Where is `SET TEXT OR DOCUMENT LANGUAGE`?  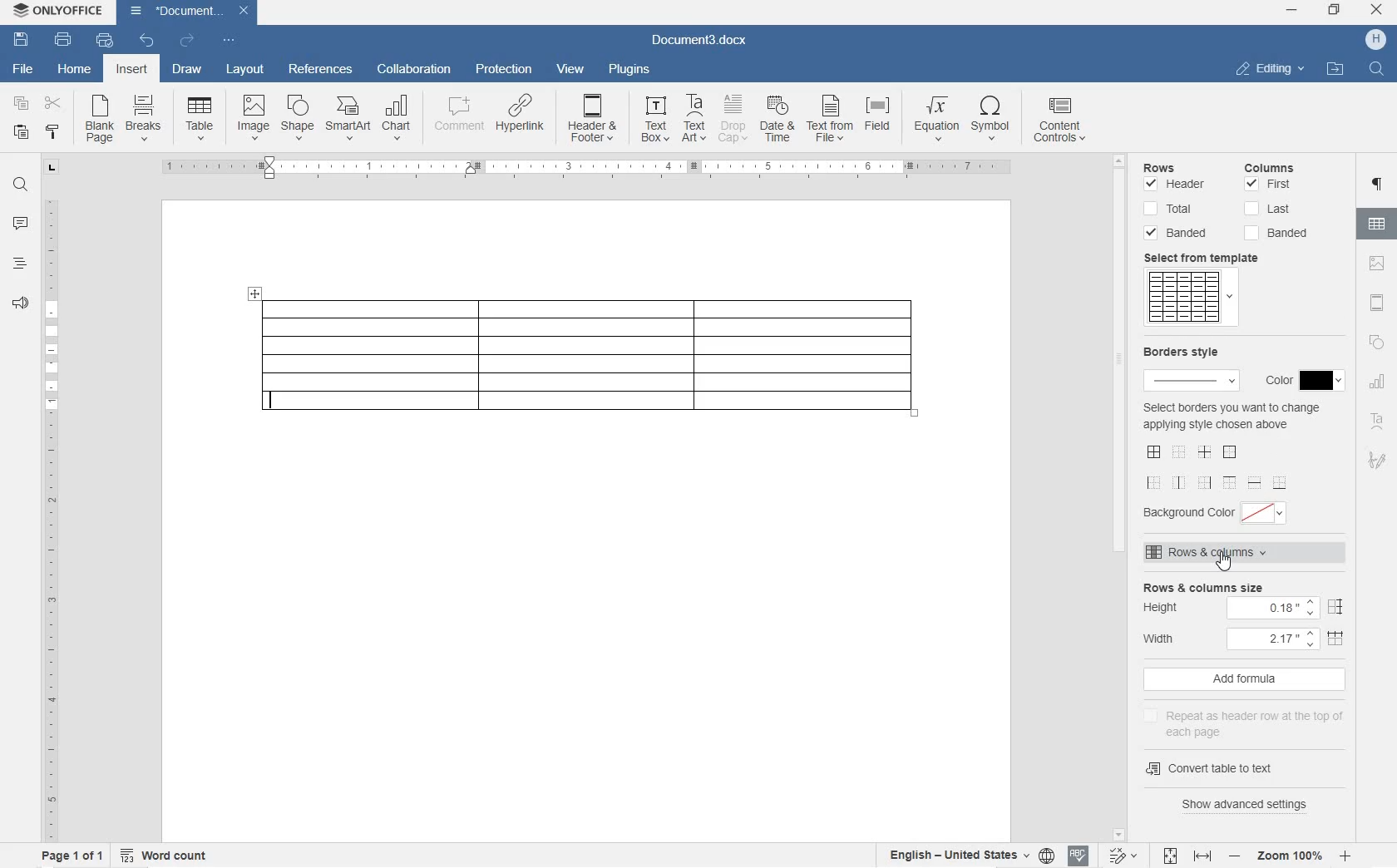 SET TEXT OR DOCUMENT LANGUAGE is located at coordinates (969, 855).